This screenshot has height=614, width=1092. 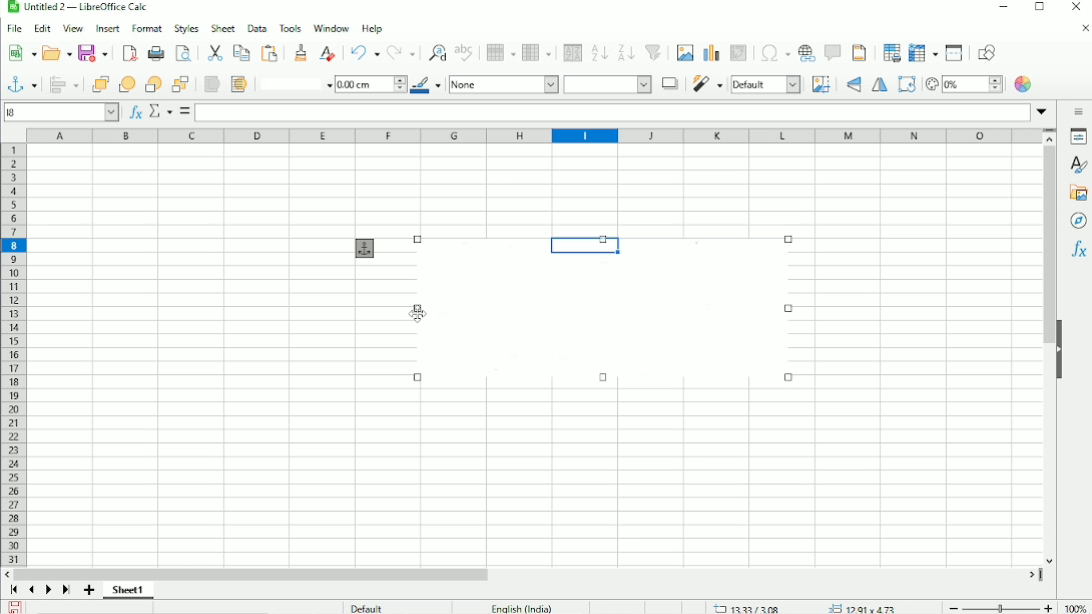 I want to click on Toggle print preview, so click(x=184, y=53).